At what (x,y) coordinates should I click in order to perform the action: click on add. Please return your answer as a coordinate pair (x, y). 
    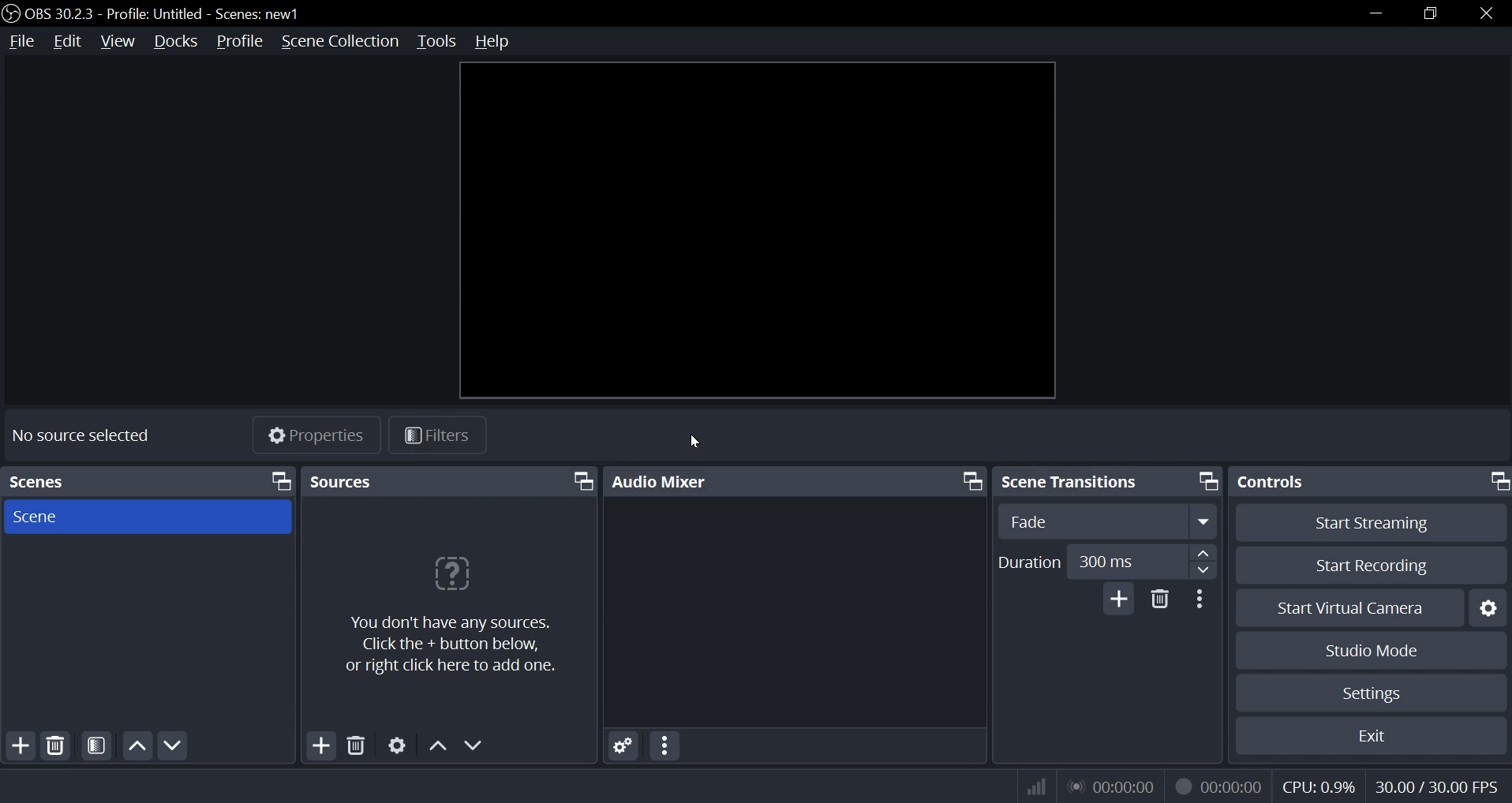
    Looking at the image, I should click on (23, 744).